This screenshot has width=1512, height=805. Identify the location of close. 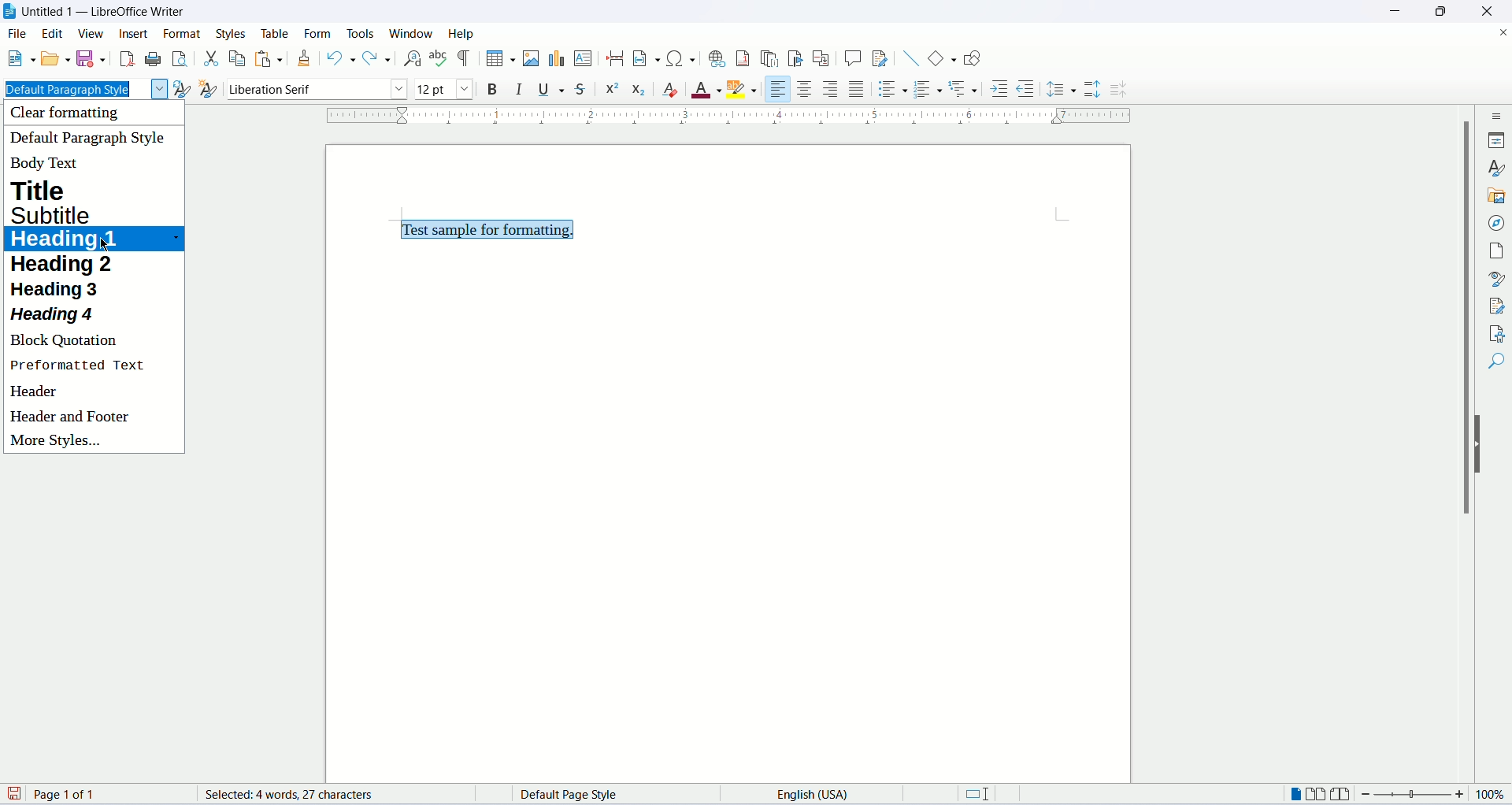
(1484, 11).